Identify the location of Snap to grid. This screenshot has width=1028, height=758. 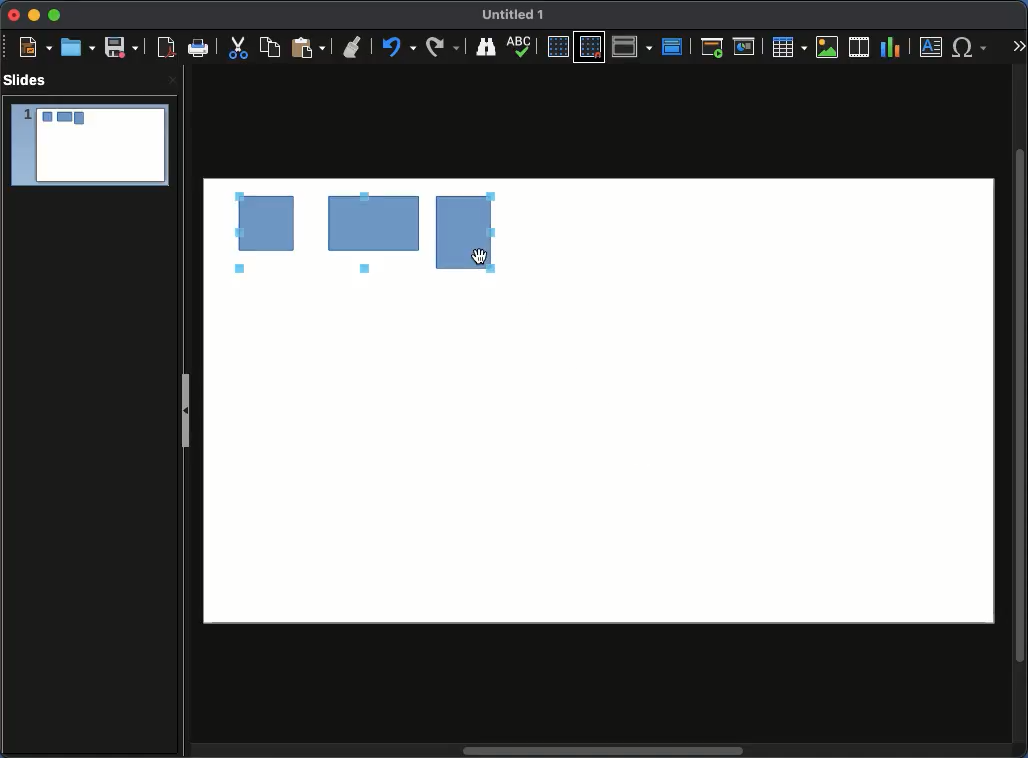
(590, 47).